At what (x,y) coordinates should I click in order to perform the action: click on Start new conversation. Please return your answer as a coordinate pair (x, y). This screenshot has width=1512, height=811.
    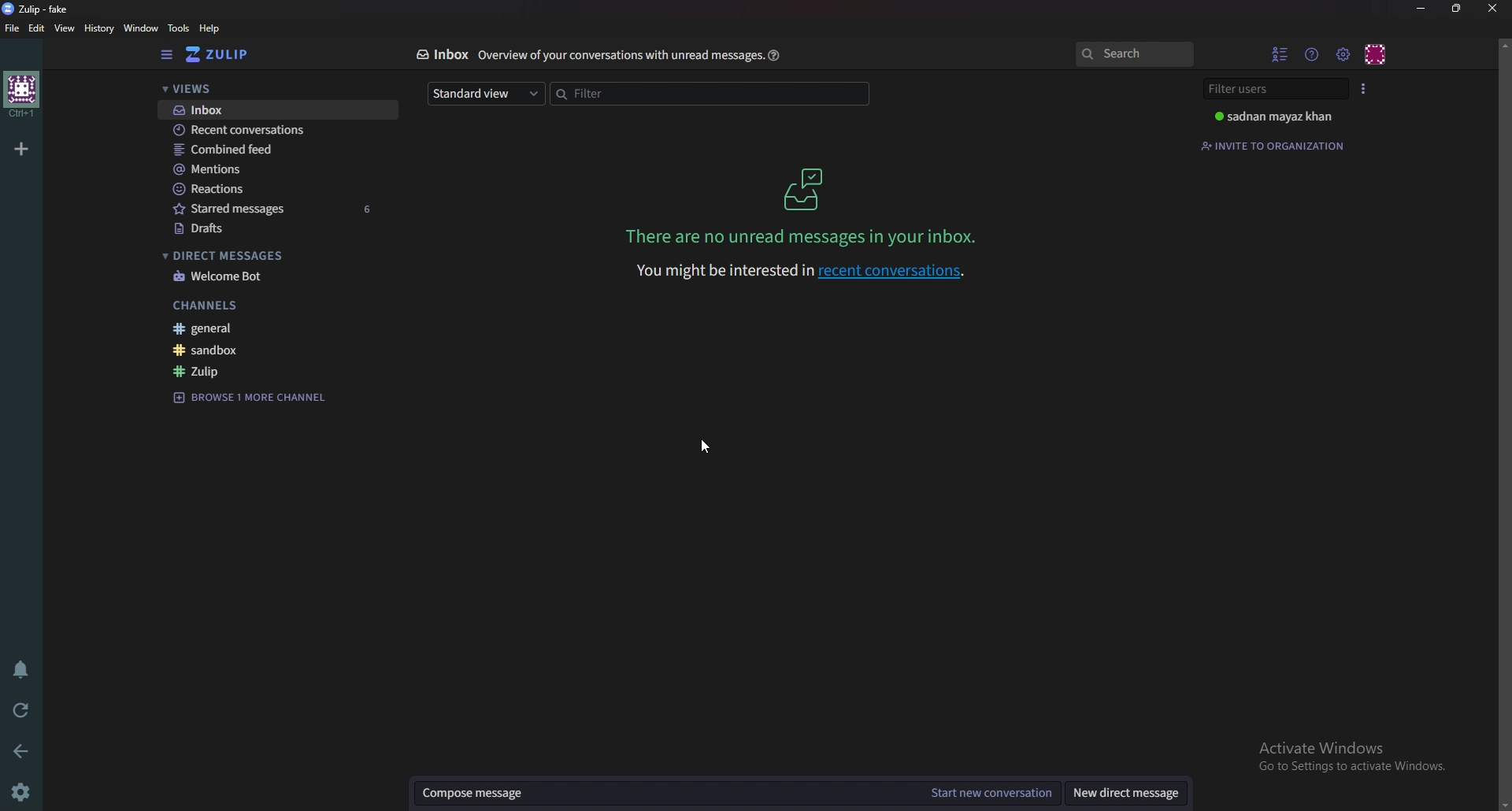
    Looking at the image, I should click on (990, 794).